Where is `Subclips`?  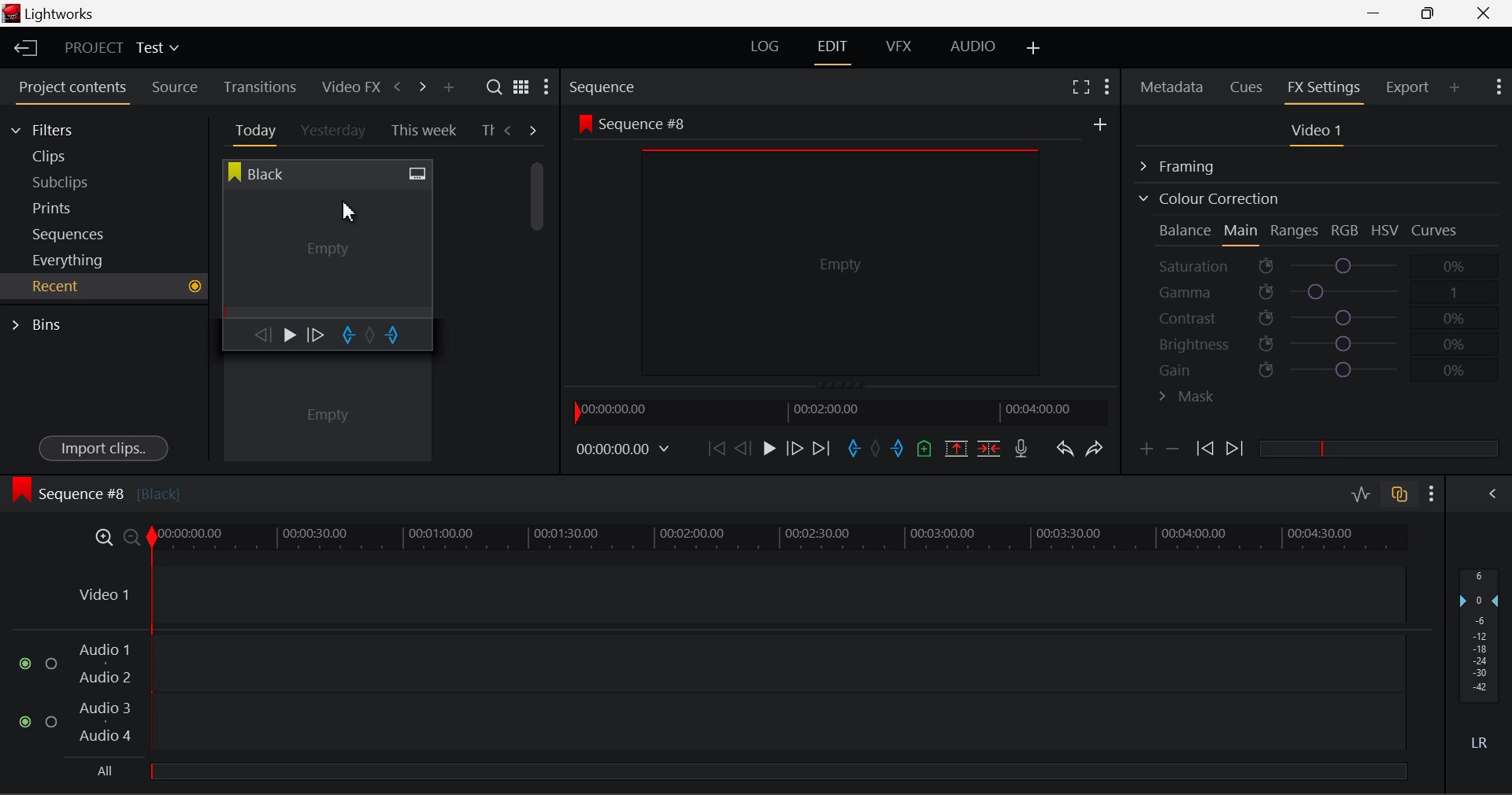 Subclips is located at coordinates (76, 182).